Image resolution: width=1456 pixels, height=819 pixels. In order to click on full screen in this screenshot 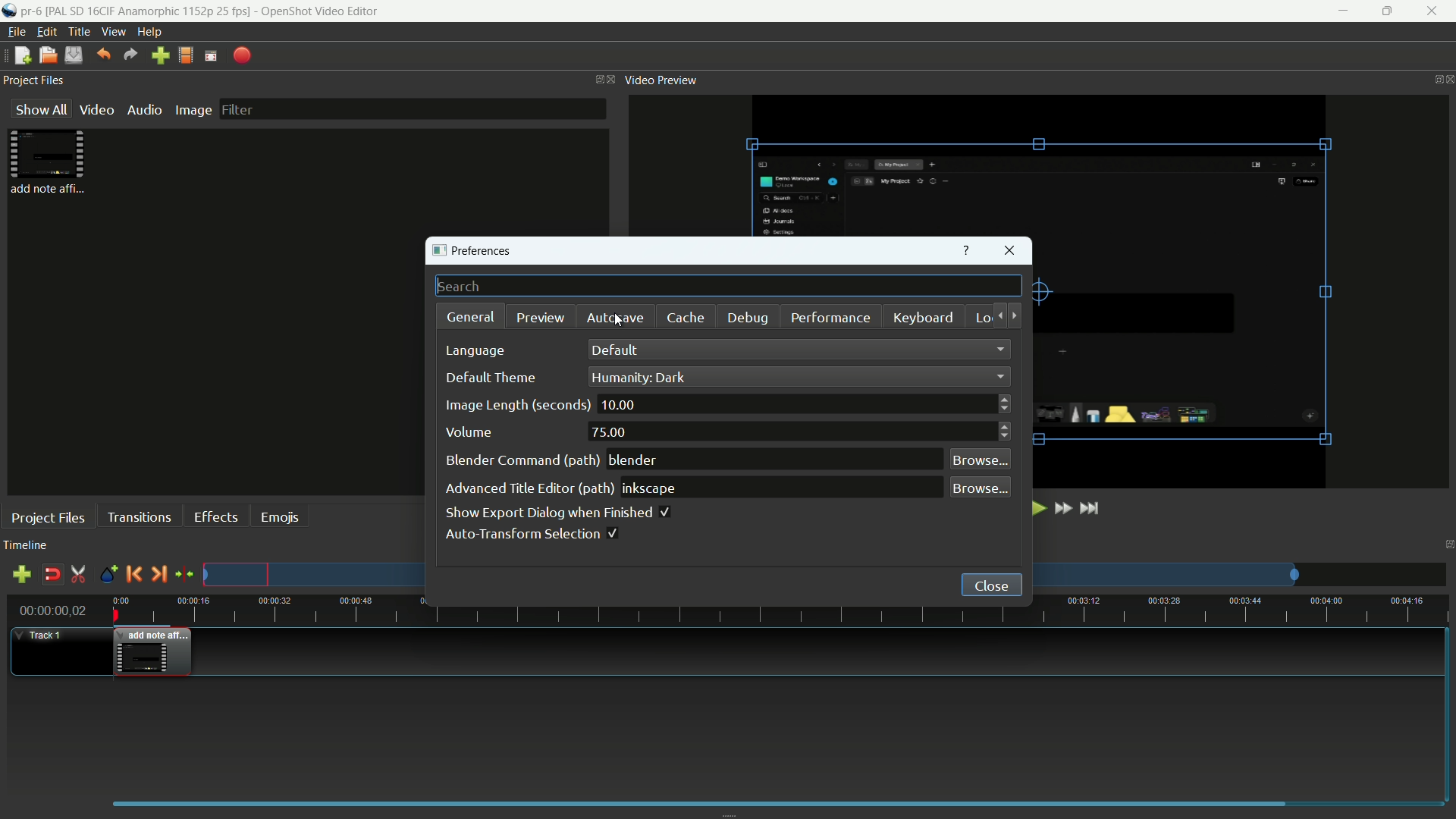, I will do `click(211, 56)`.